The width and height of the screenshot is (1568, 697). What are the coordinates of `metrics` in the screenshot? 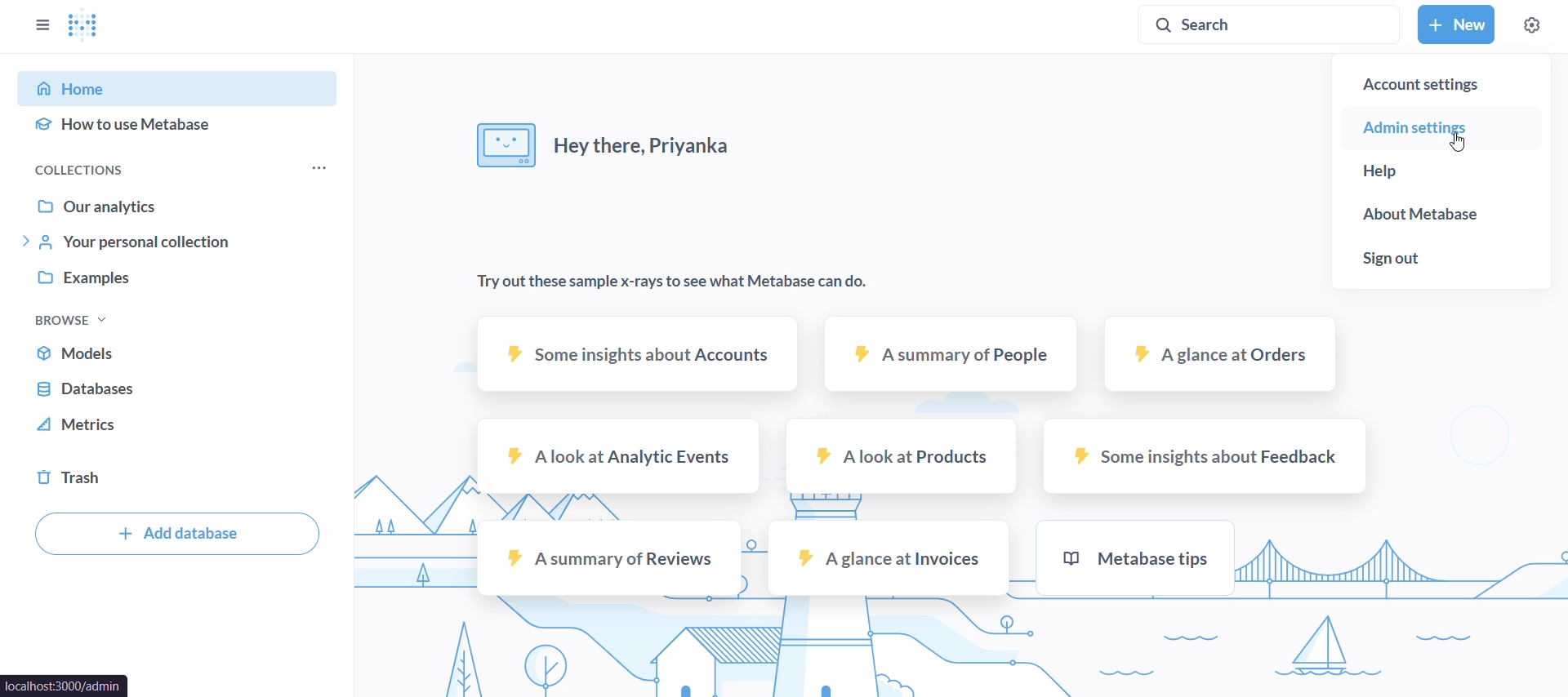 It's located at (180, 430).